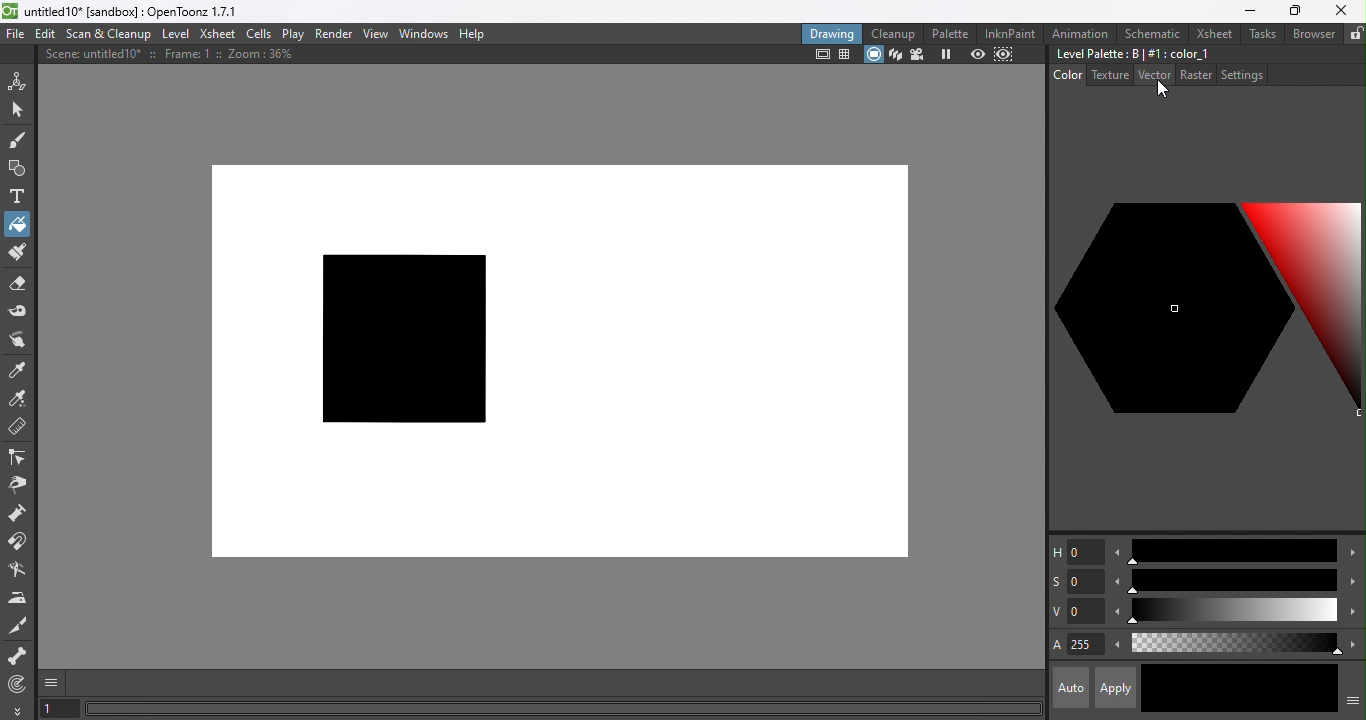 The width and height of the screenshot is (1366, 720). Describe the element at coordinates (1231, 551) in the screenshot. I see `Slide bar` at that location.